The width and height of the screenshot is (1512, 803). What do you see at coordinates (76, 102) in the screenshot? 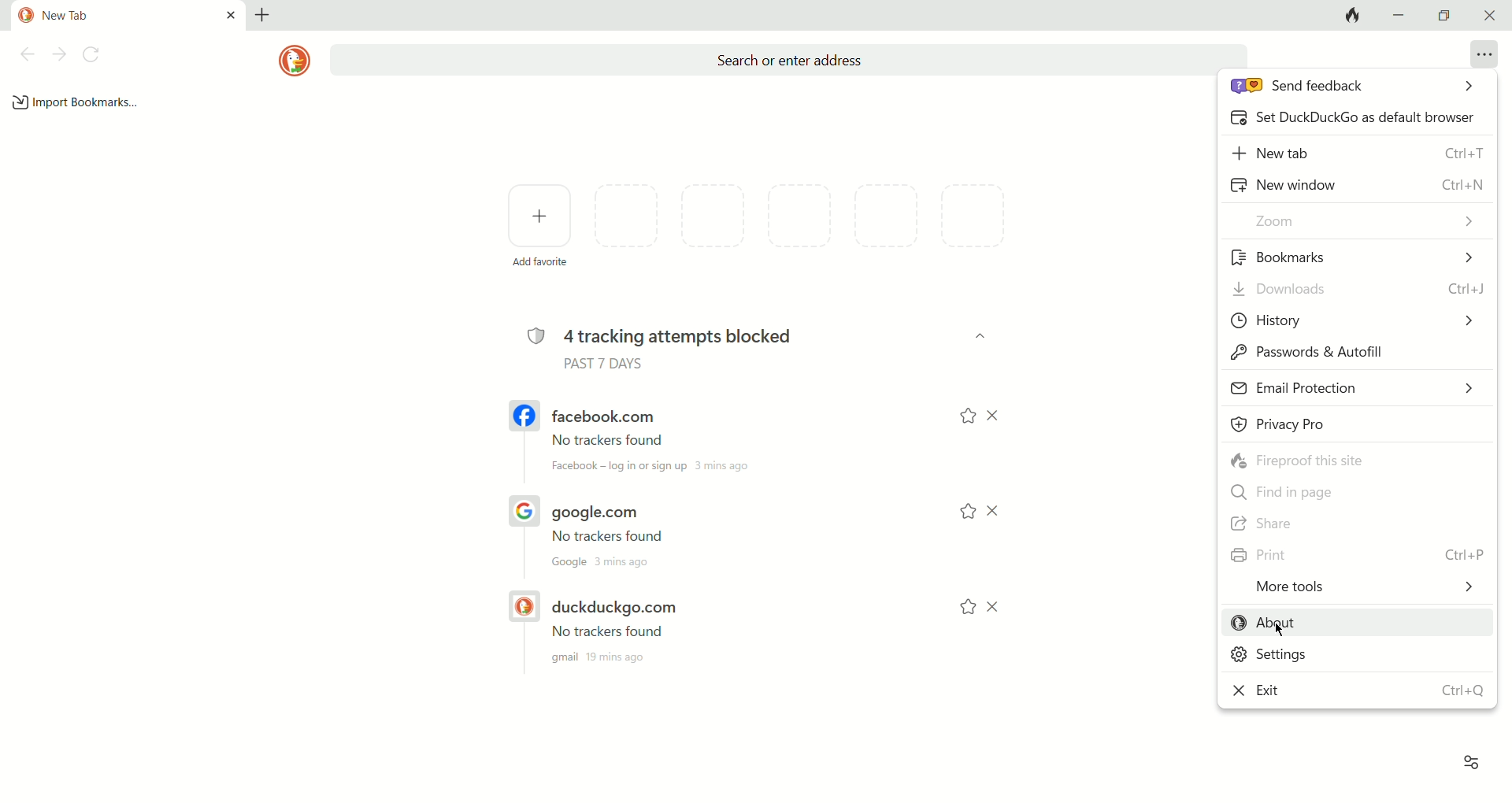
I see `import bookmarks` at bounding box center [76, 102].